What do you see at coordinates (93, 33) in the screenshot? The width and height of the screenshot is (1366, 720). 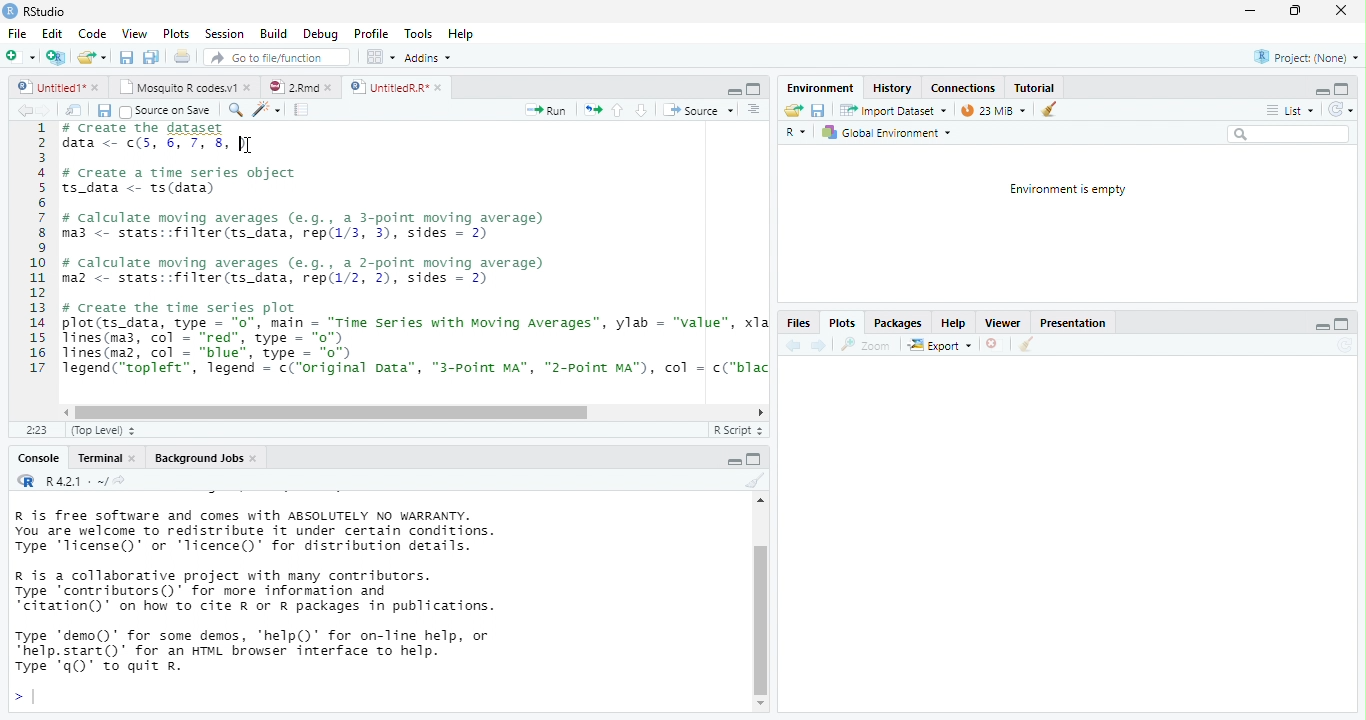 I see `Code` at bounding box center [93, 33].